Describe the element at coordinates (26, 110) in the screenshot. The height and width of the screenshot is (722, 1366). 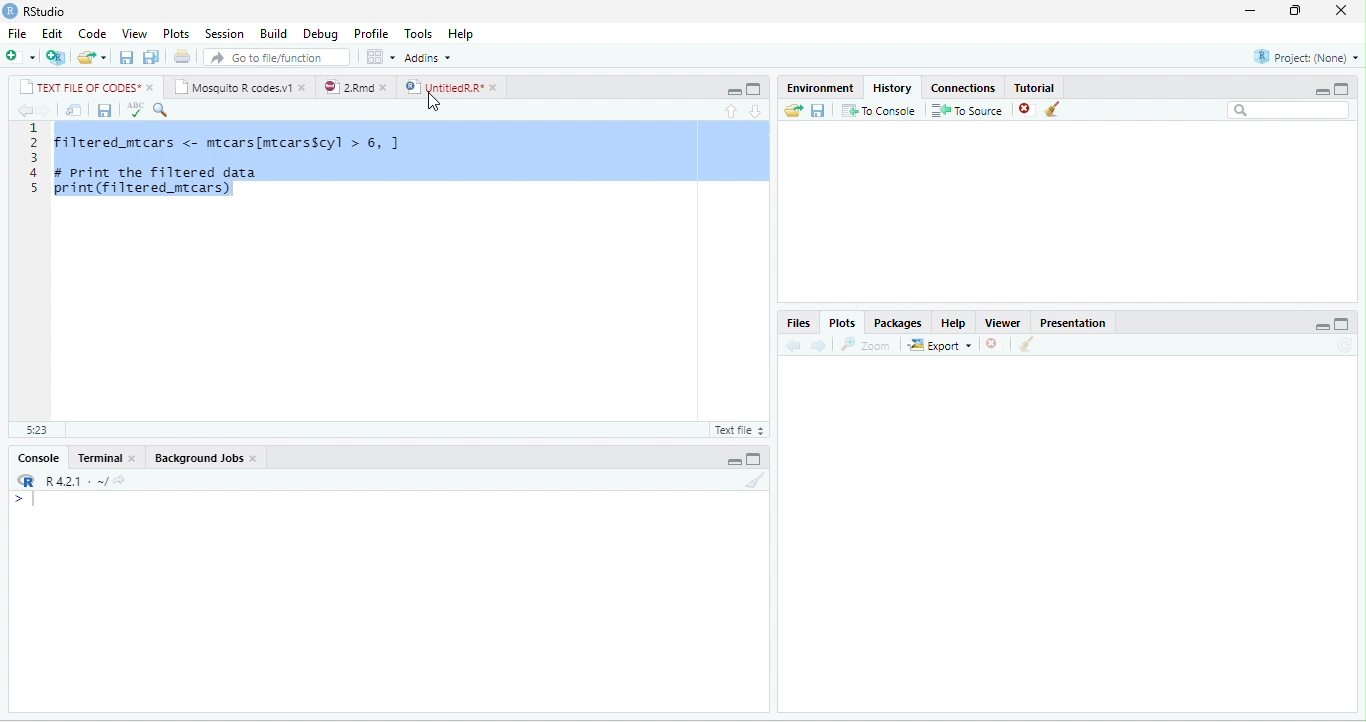
I see `back` at that location.